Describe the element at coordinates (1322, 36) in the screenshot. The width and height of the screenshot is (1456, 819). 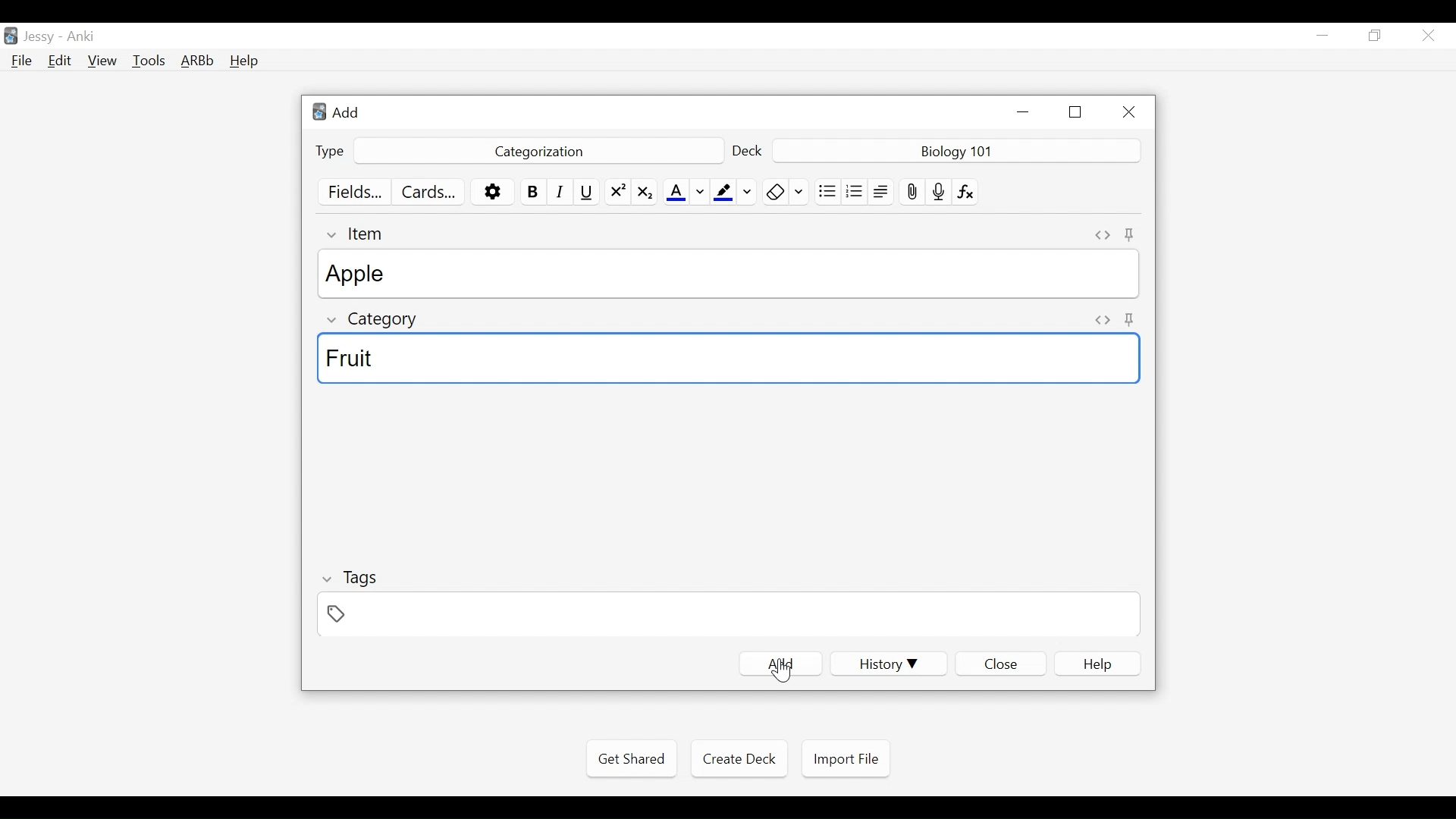
I see `minimize` at that location.